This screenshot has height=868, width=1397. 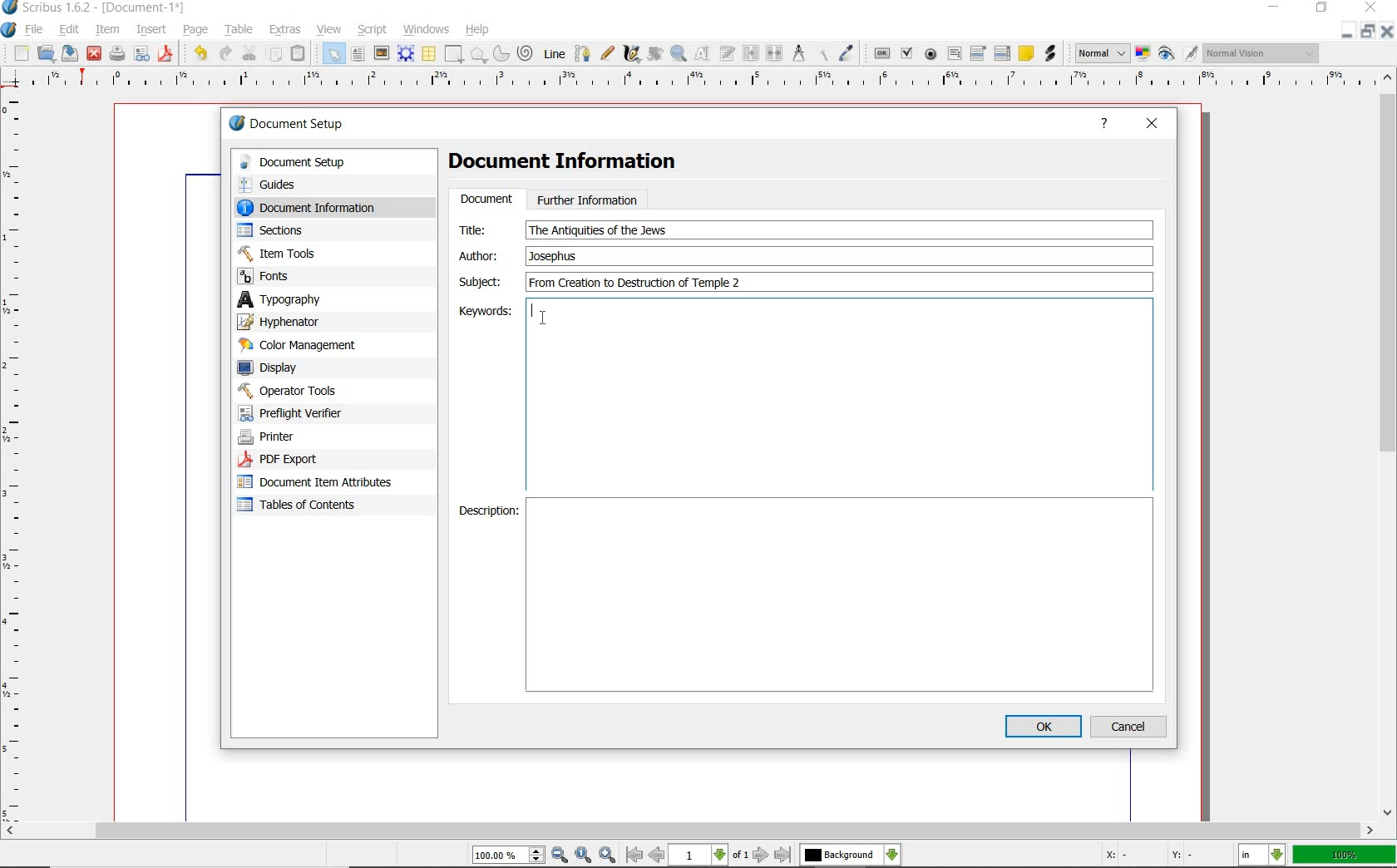 I want to click on document setup, so click(x=320, y=162).